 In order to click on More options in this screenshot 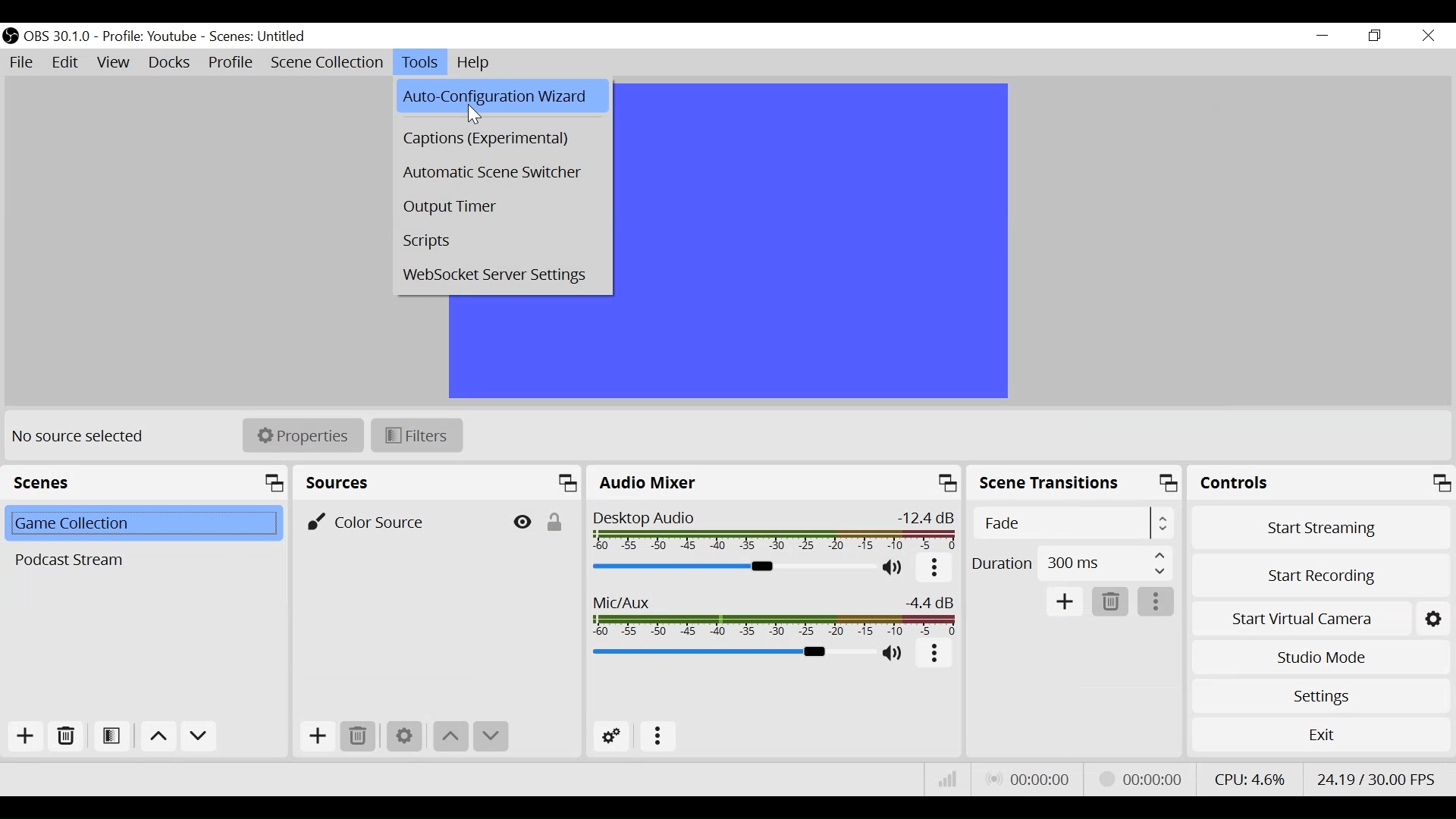, I will do `click(934, 569)`.